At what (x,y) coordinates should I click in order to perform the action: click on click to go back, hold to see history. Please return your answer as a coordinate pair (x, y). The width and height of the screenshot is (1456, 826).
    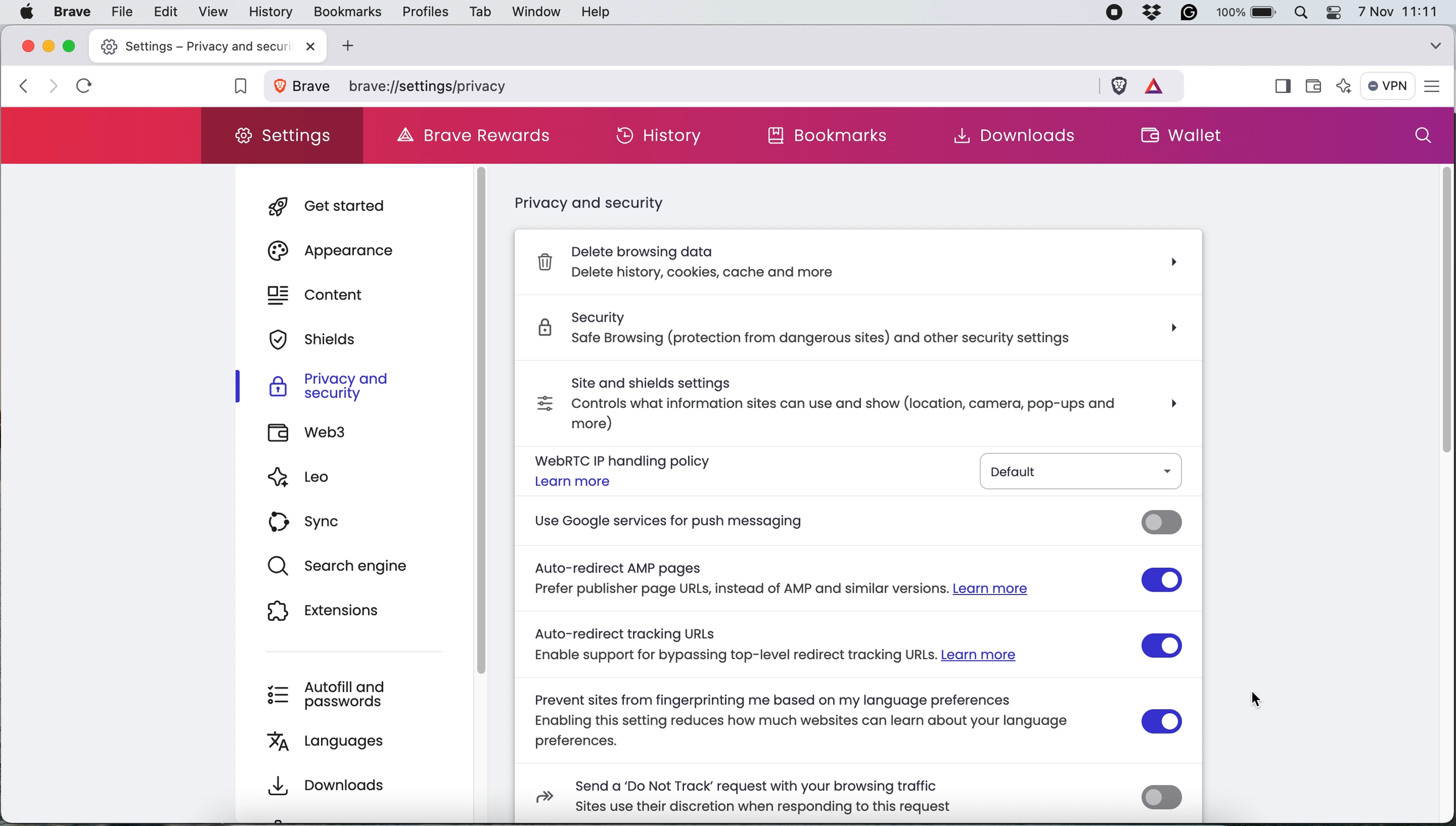
    Looking at the image, I should click on (20, 85).